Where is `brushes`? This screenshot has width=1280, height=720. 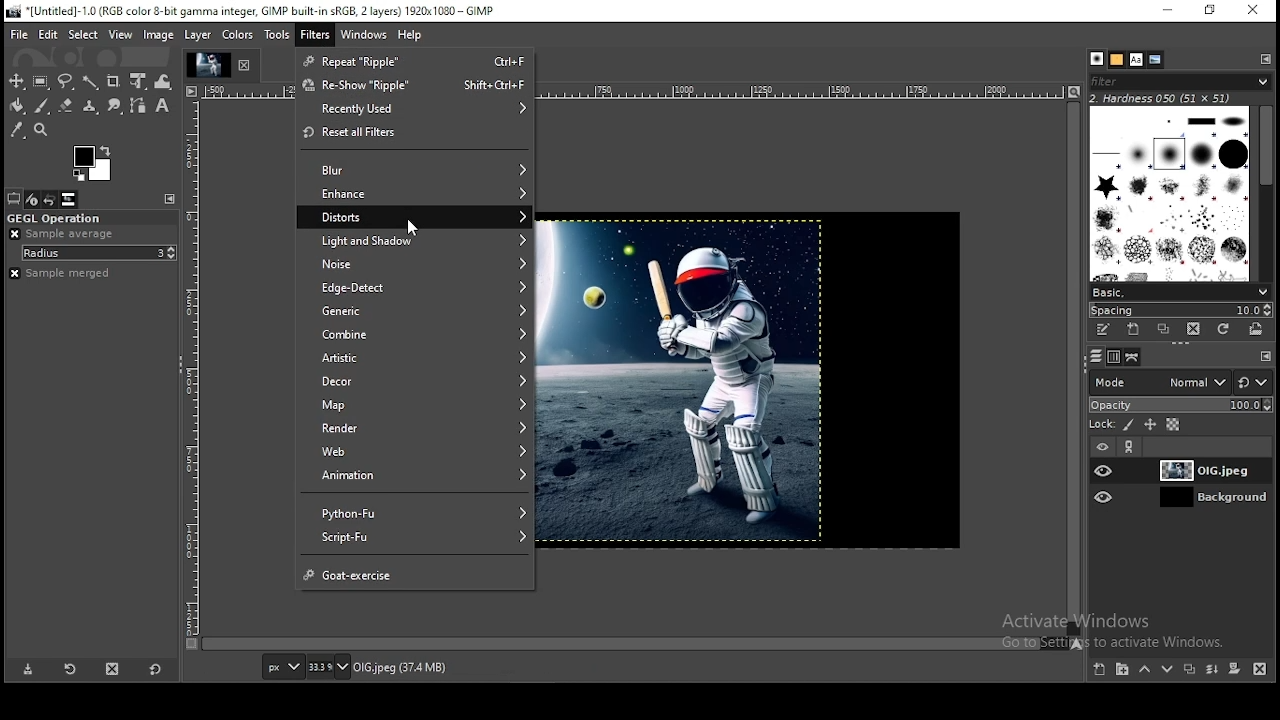 brushes is located at coordinates (1169, 194).